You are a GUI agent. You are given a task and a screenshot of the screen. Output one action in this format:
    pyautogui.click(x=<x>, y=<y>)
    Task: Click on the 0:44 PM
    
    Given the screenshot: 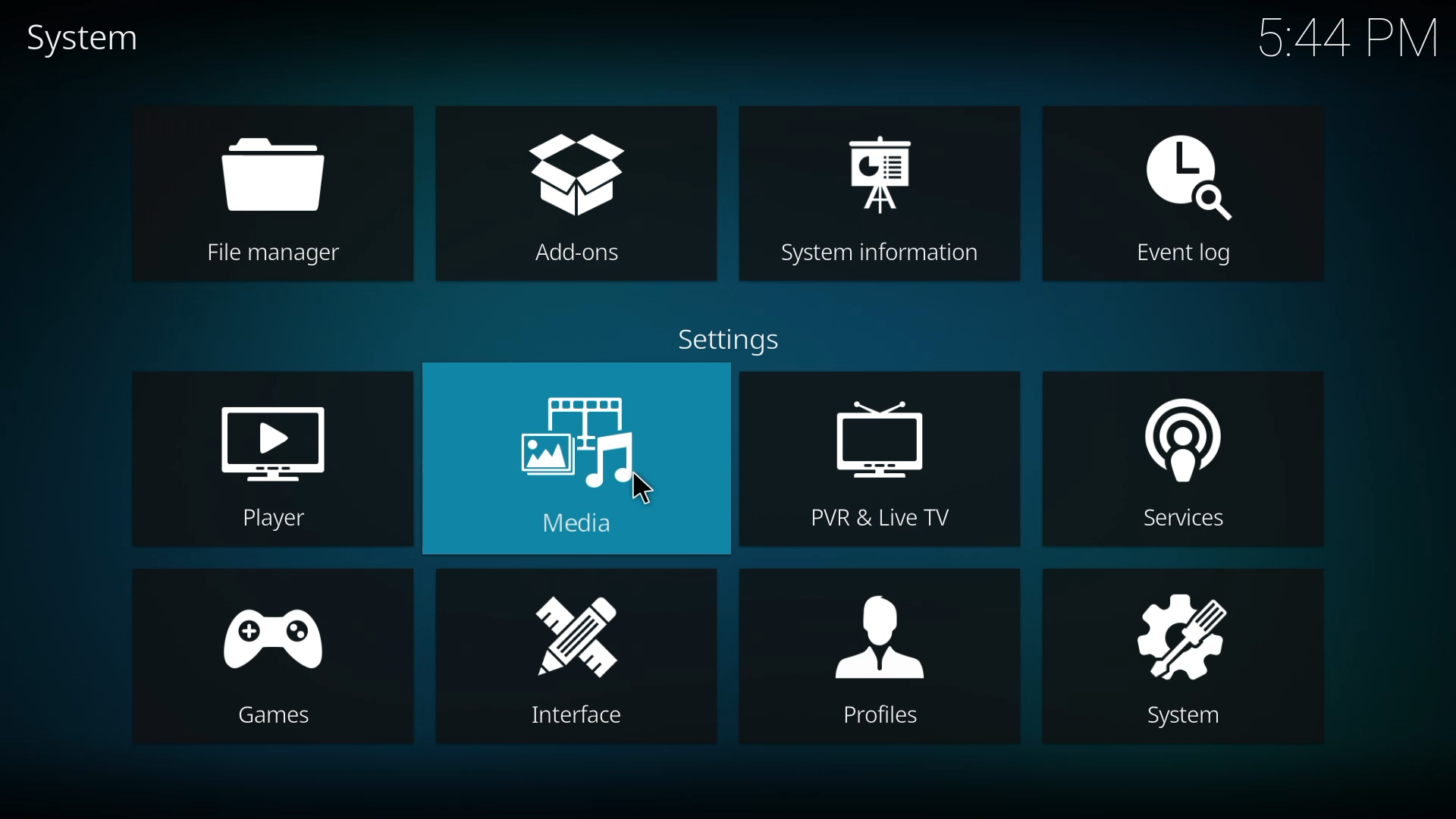 What is the action you would take?
    pyautogui.click(x=1348, y=42)
    